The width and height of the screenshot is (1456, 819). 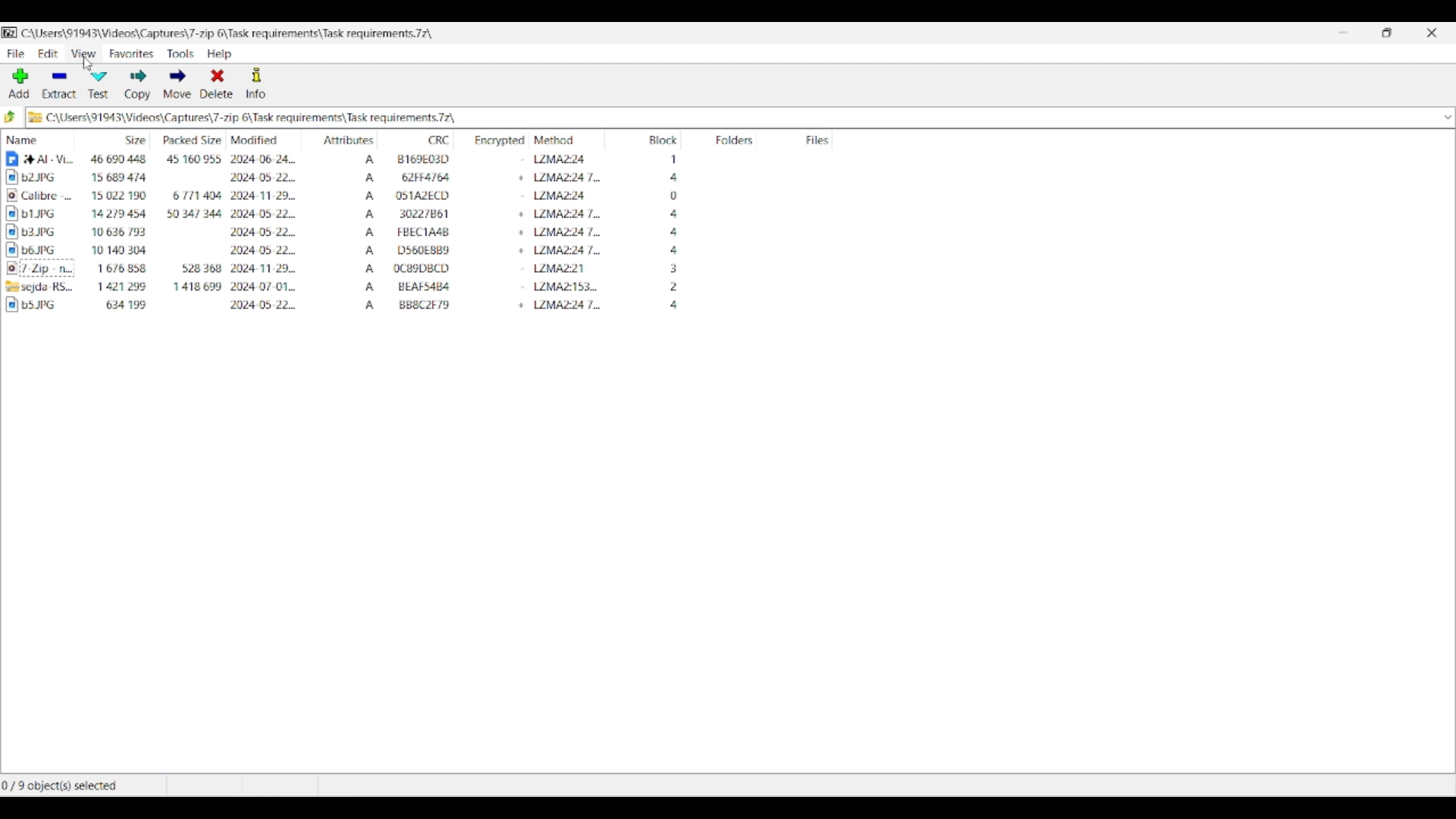 What do you see at coordinates (265, 138) in the screenshot?
I see `Modified column` at bounding box center [265, 138].